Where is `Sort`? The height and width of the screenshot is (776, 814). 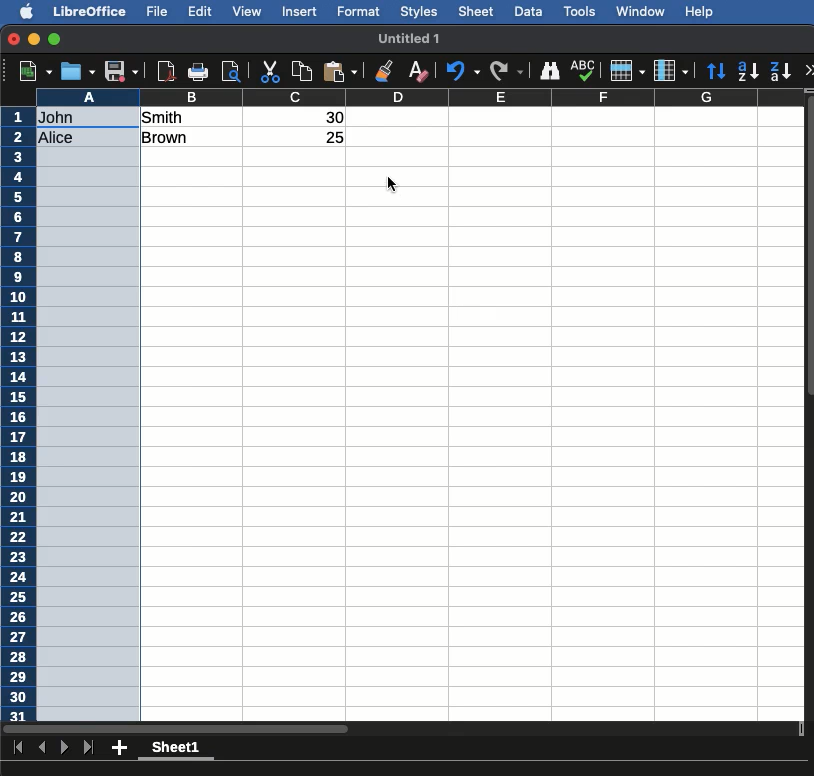 Sort is located at coordinates (717, 71).